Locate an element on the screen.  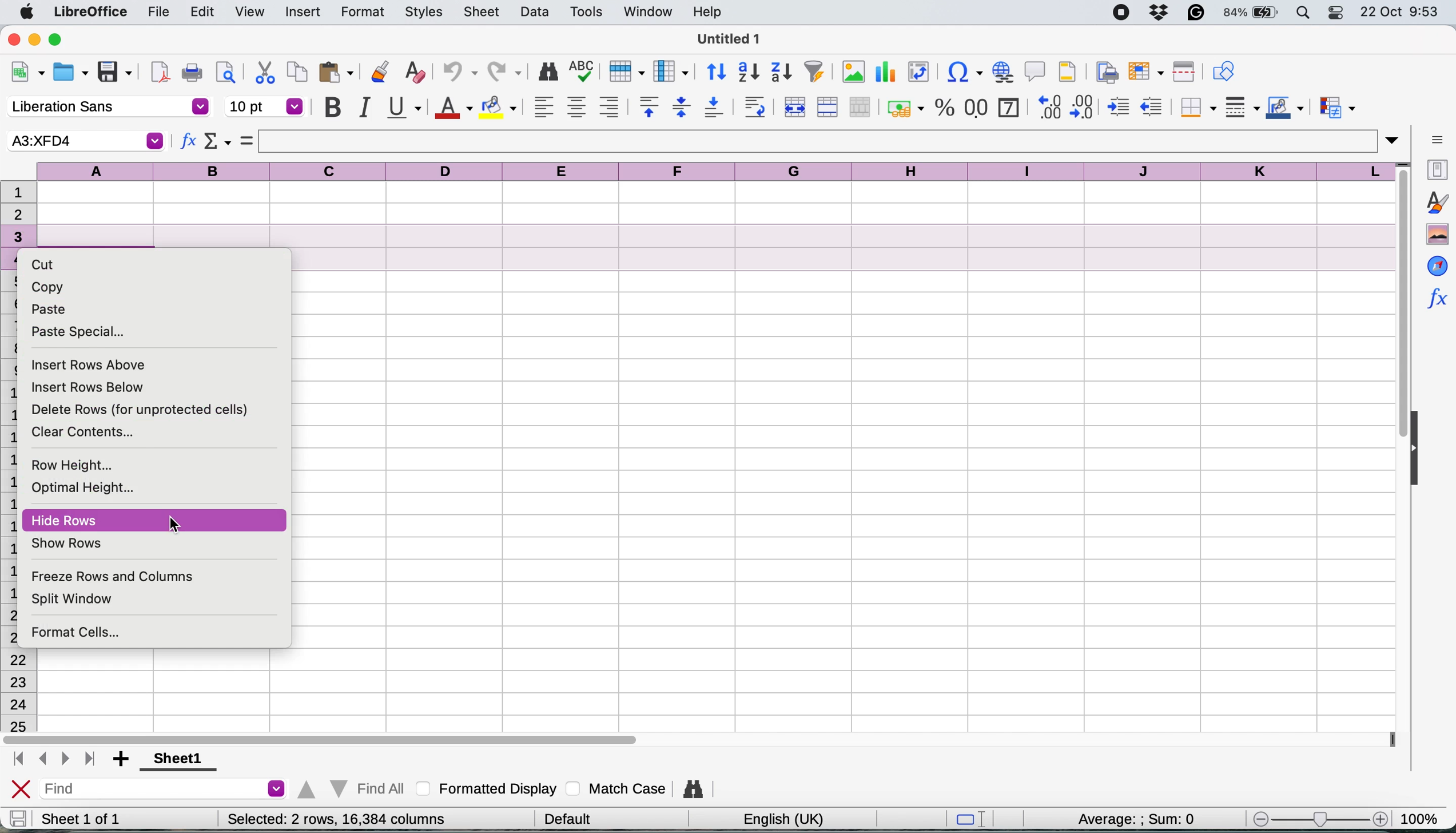
insert chart is located at coordinates (884, 74).